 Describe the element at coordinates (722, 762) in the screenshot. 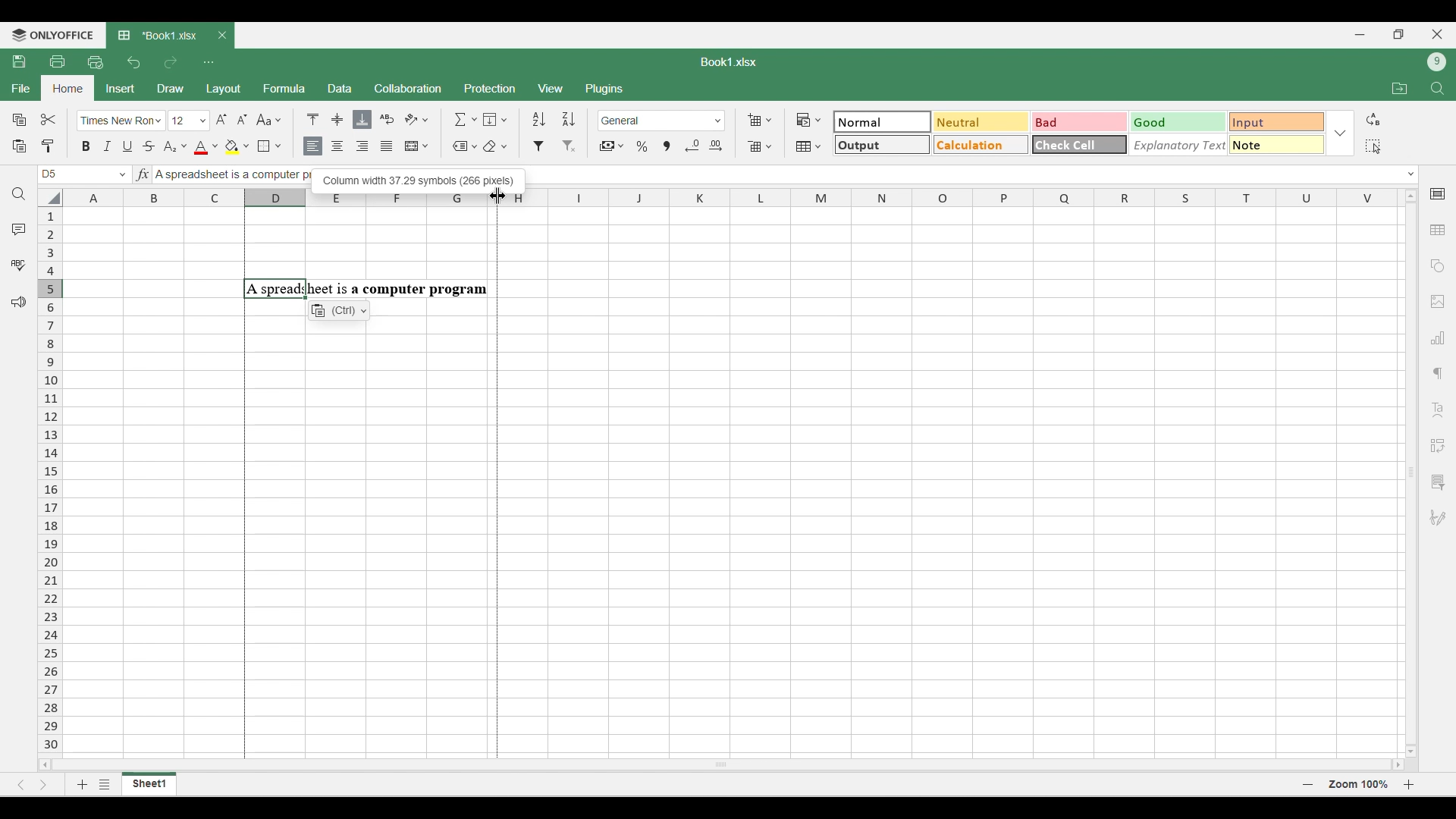

I see `Horizontal slide bar` at that location.